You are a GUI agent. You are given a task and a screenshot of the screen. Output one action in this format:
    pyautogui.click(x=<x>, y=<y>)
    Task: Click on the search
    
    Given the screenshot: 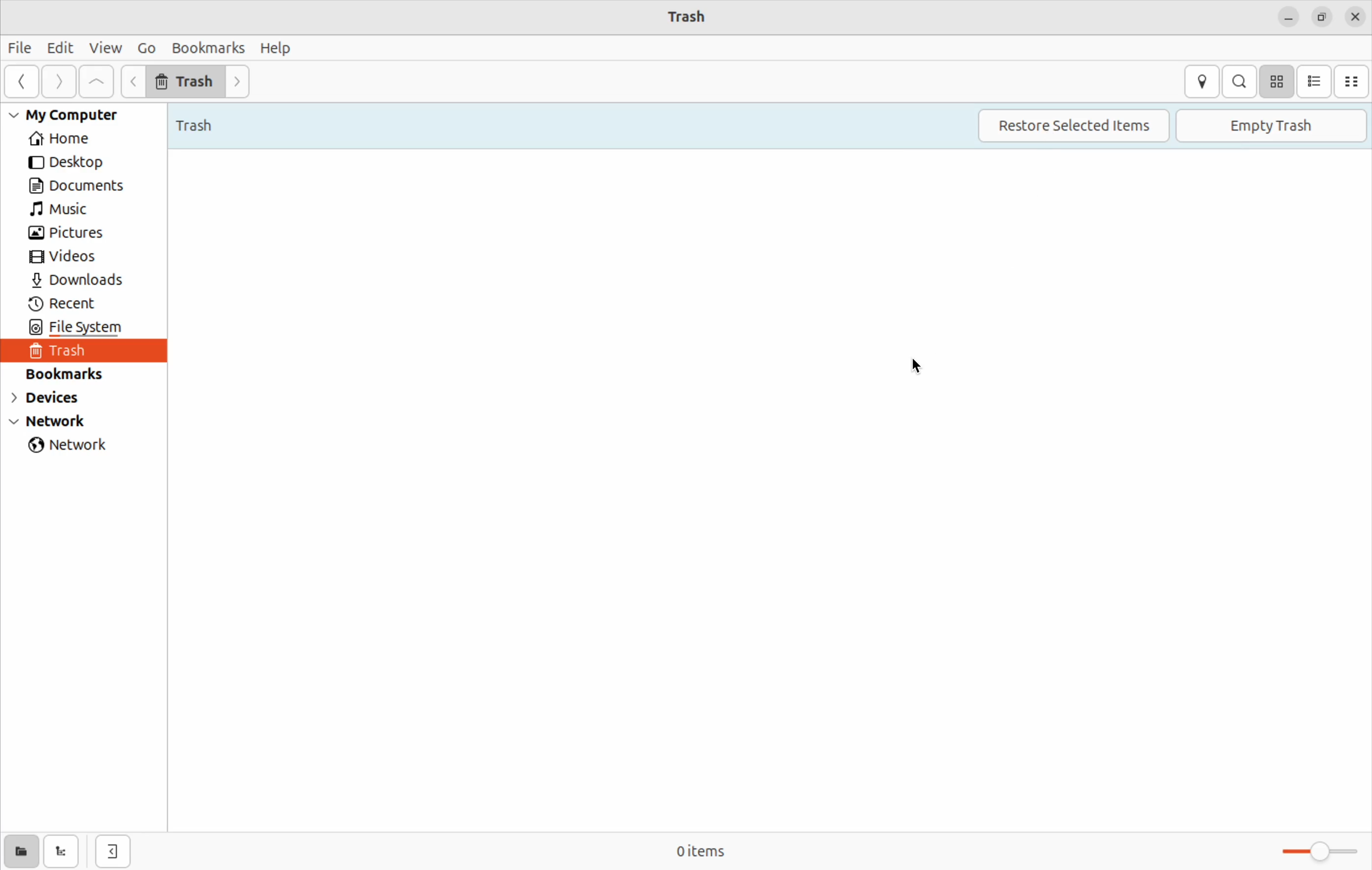 What is the action you would take?
    pyautogui.click(x=1239, y=81)
    